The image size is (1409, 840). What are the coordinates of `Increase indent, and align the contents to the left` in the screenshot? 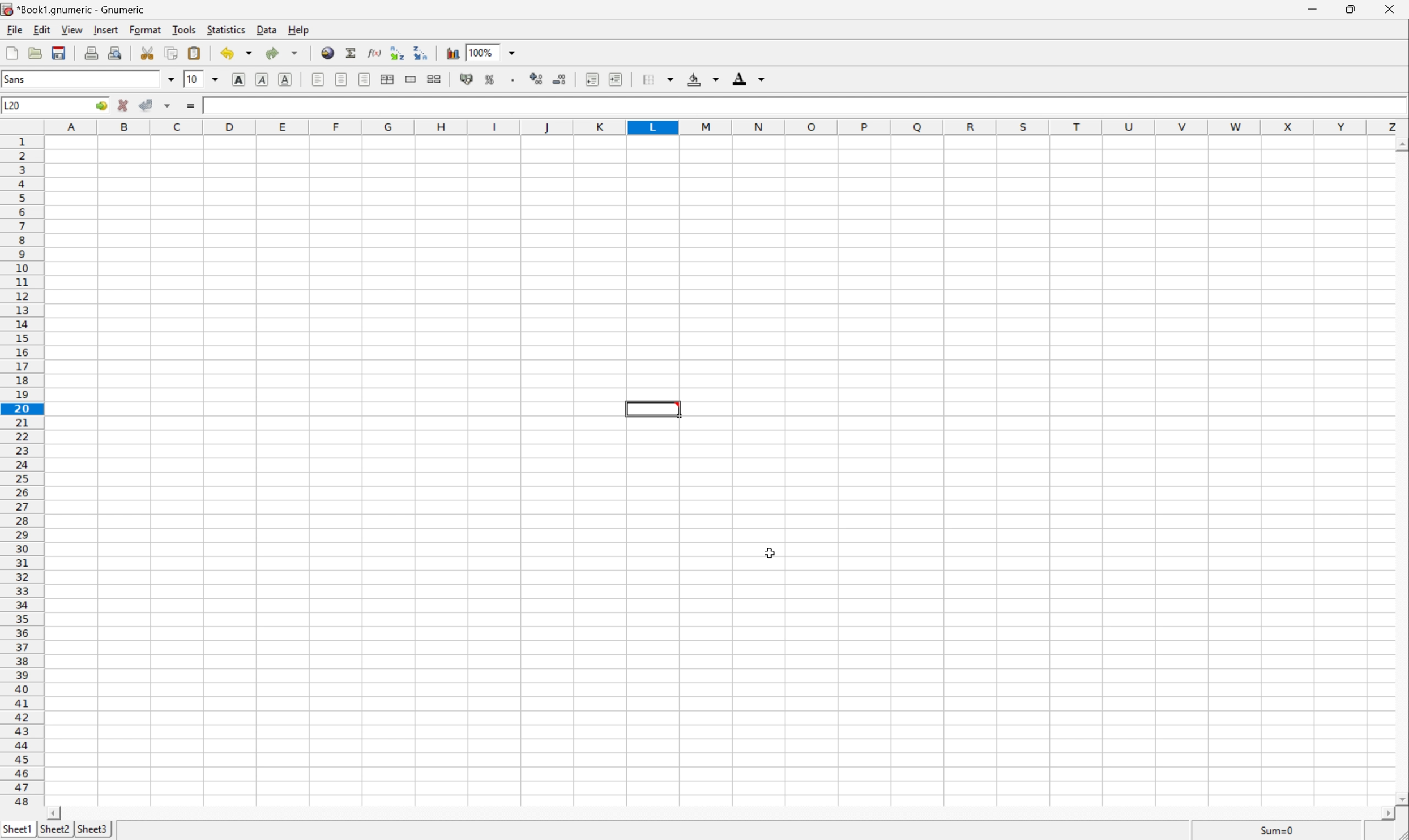 It's located at (616, 79).